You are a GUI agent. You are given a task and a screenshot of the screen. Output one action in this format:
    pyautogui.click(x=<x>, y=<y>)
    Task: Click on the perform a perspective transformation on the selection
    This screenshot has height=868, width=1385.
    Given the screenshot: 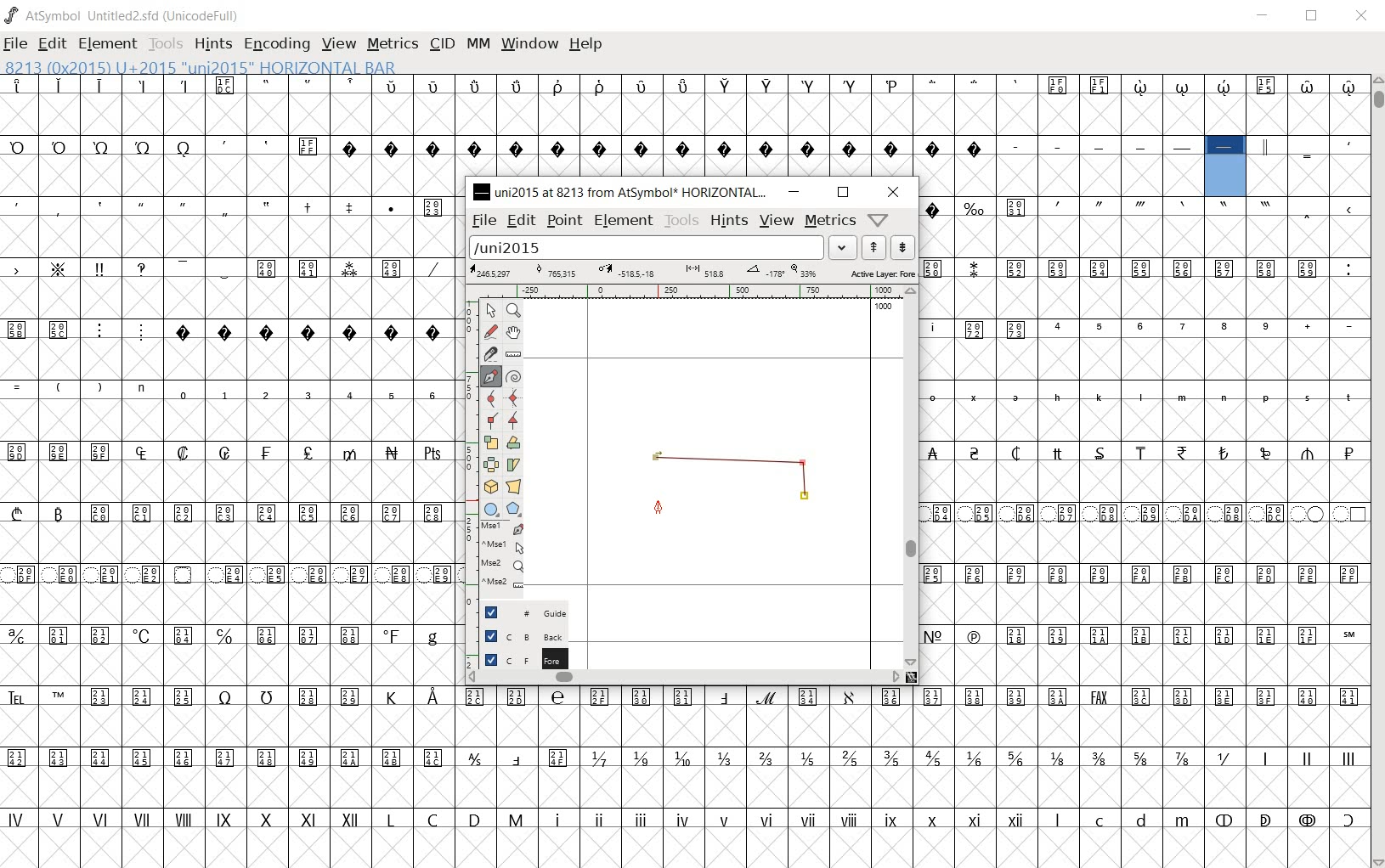 What is the action you would take?
    pyautogui.click(x=513, y=486)
    